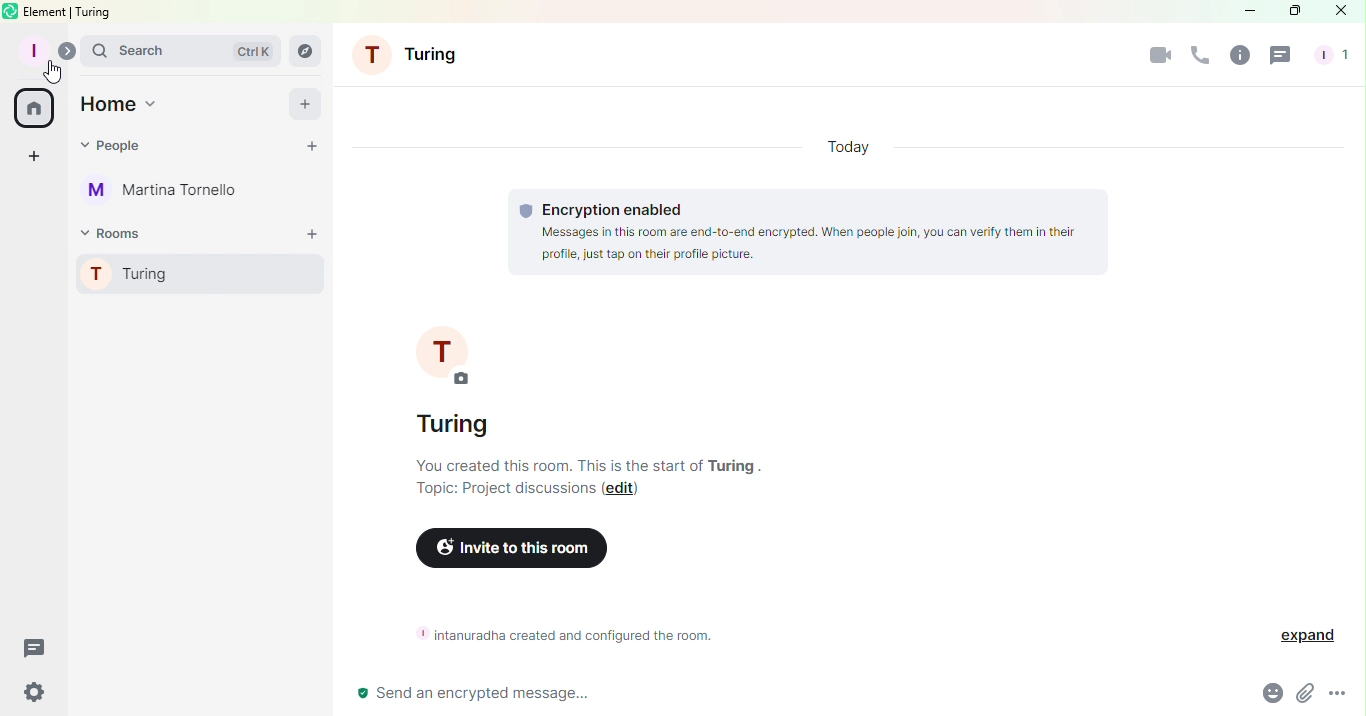 This screenshot has height=716, width=1366. I want to click on turing, so click(97, 12).